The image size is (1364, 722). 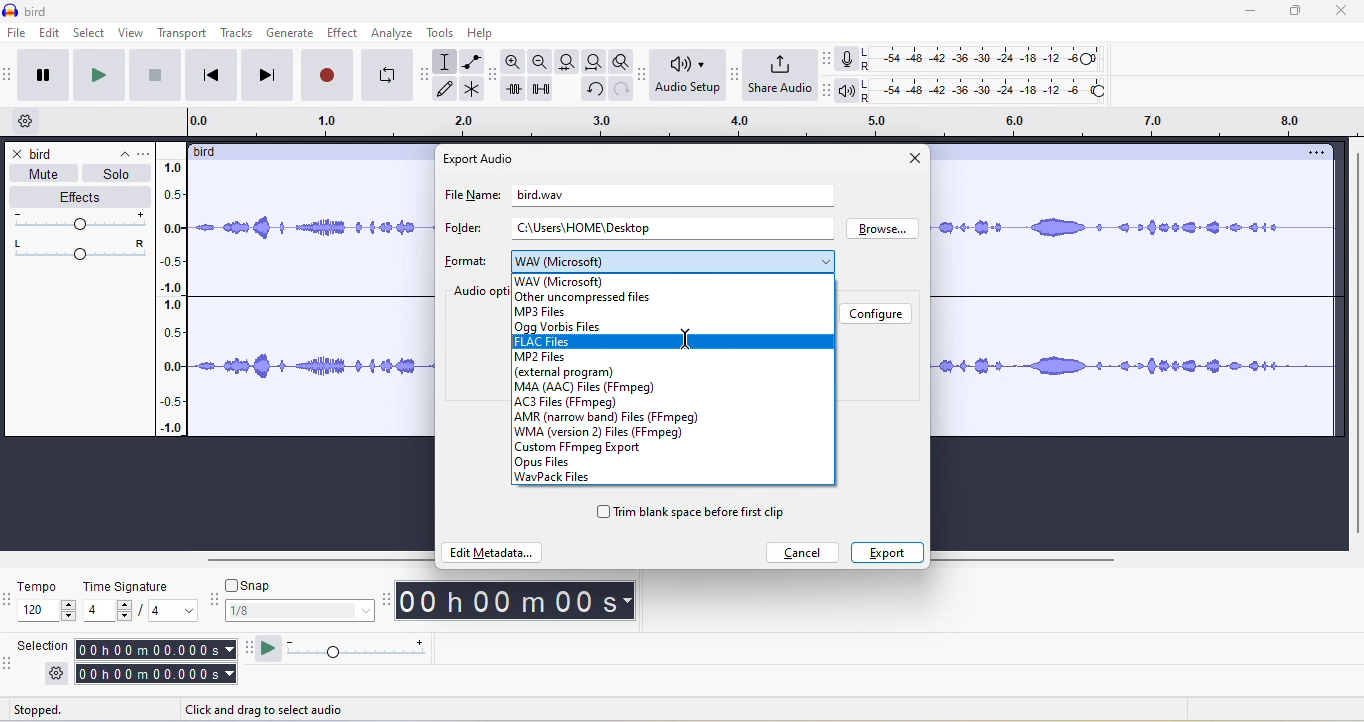 What do you see at coordinates (558, 463) in the screenshot?
I see `opus files` at bounding box center [558, 463].